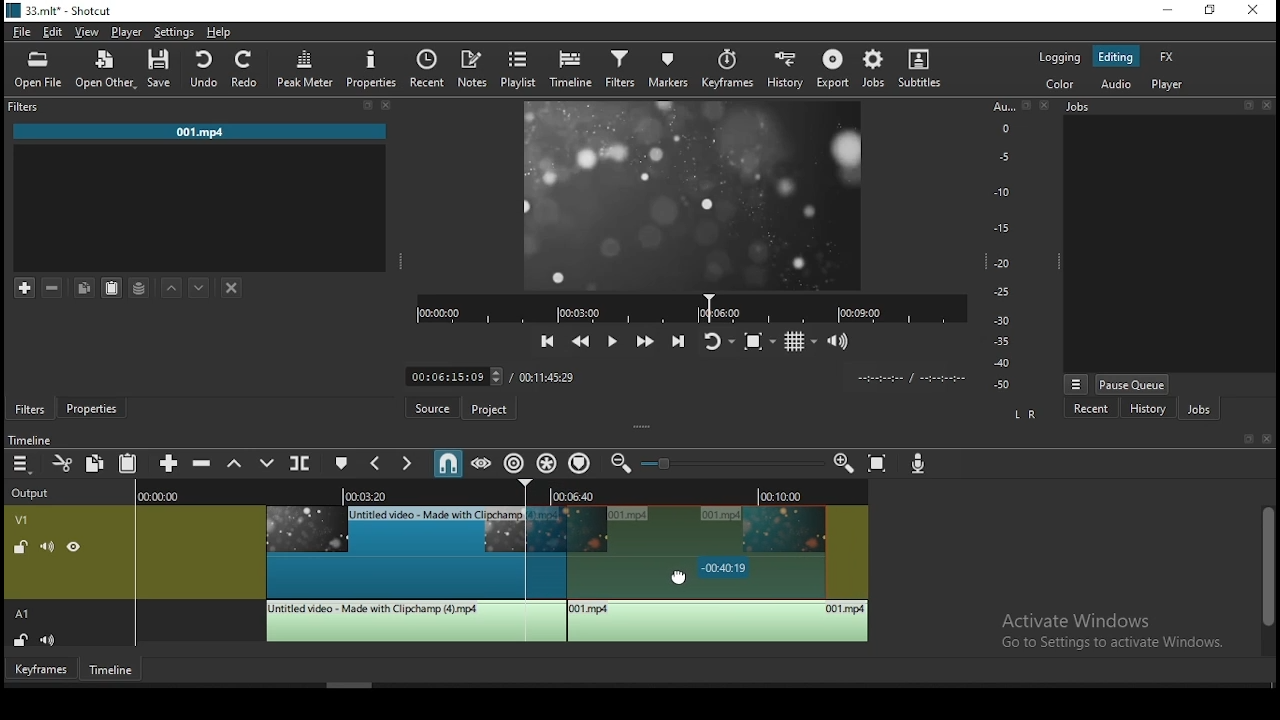 The height and width of the screenshot is (720, 1280). Describe the element at coordinates (698, 549) in the screenshot. I see `video clip (selected)` at that location.